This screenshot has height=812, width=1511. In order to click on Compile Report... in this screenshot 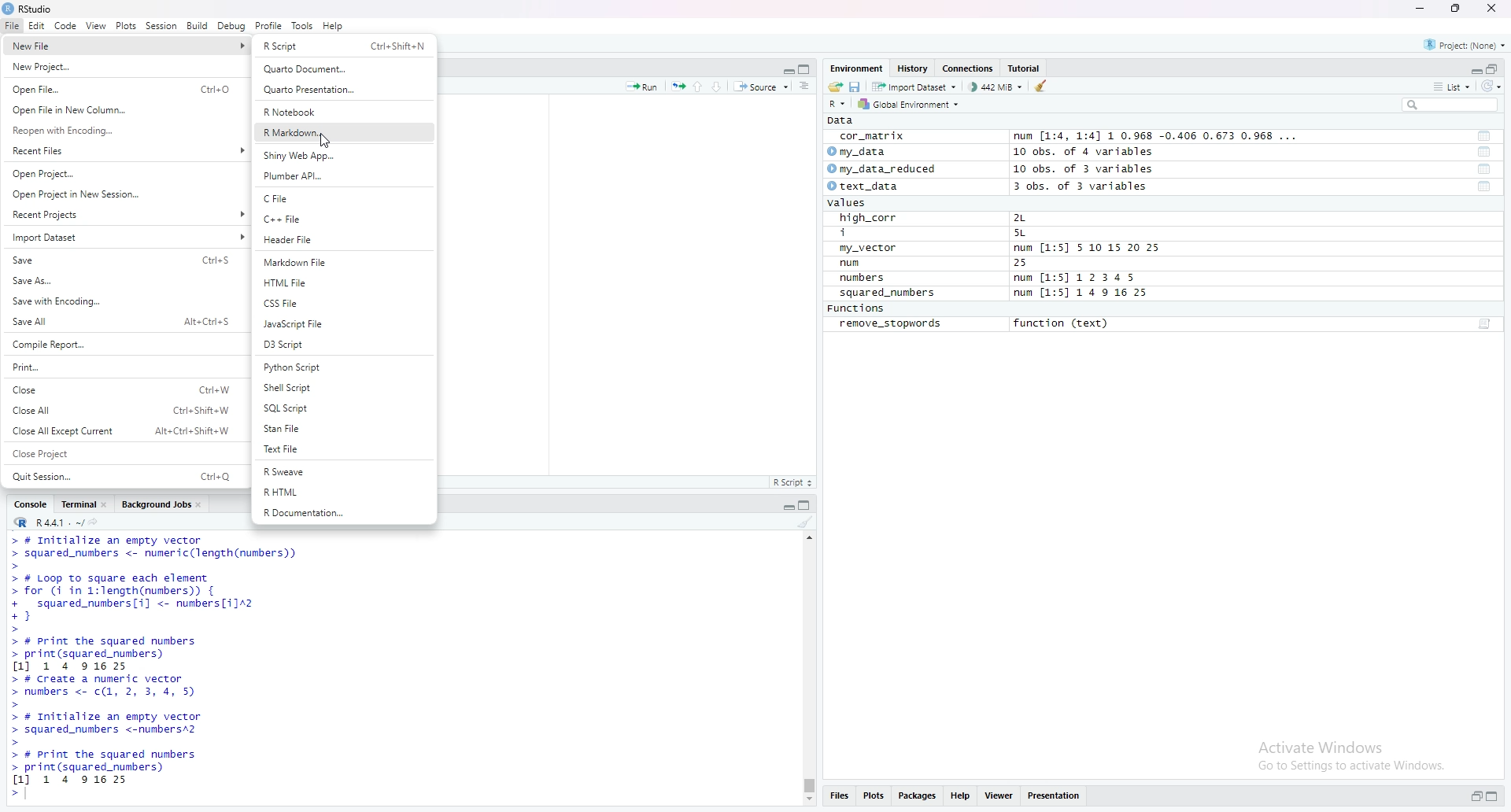, I will do `click(119, 345)`.